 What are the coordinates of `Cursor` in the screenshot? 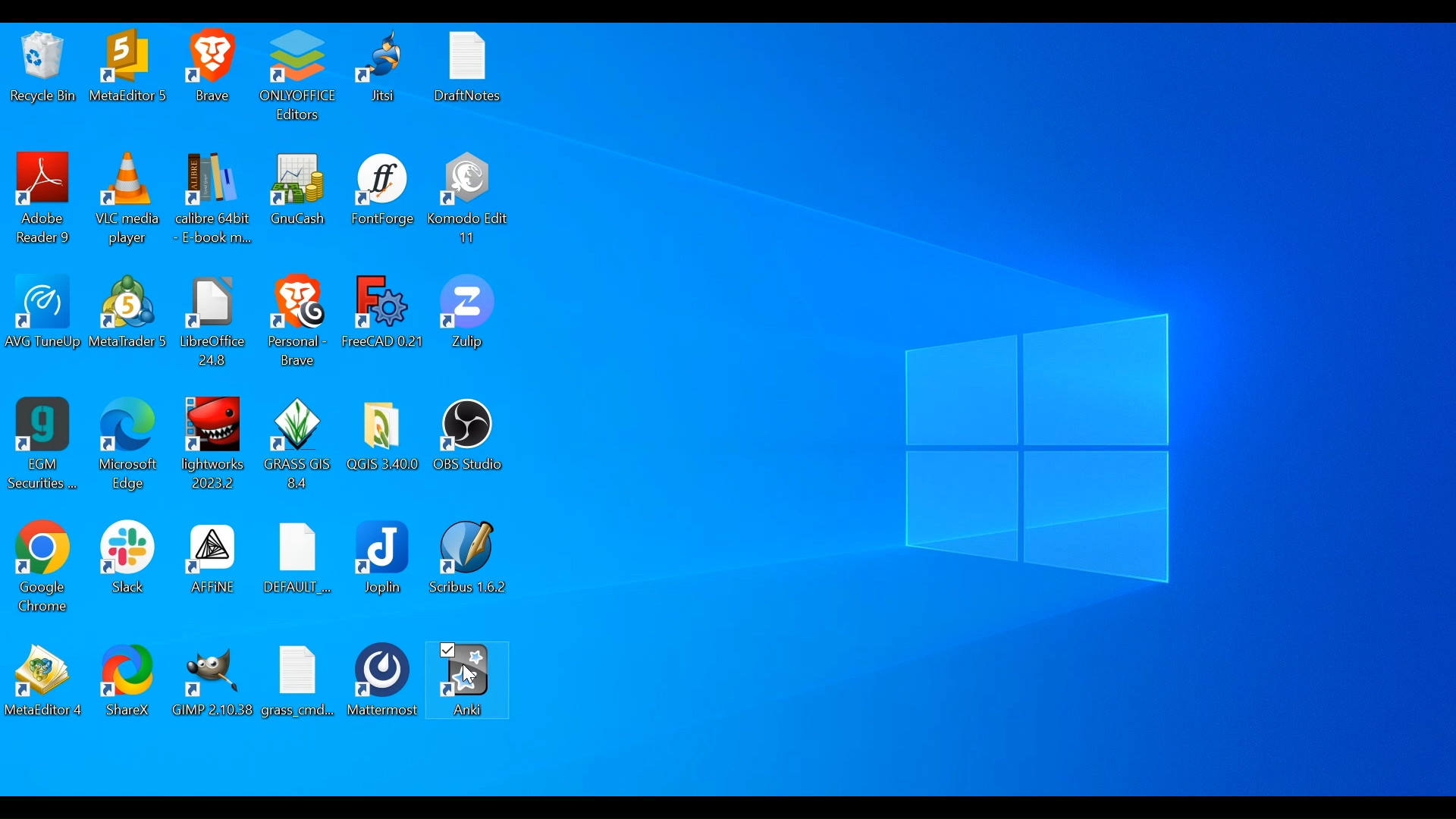 It's located at (472, 675).